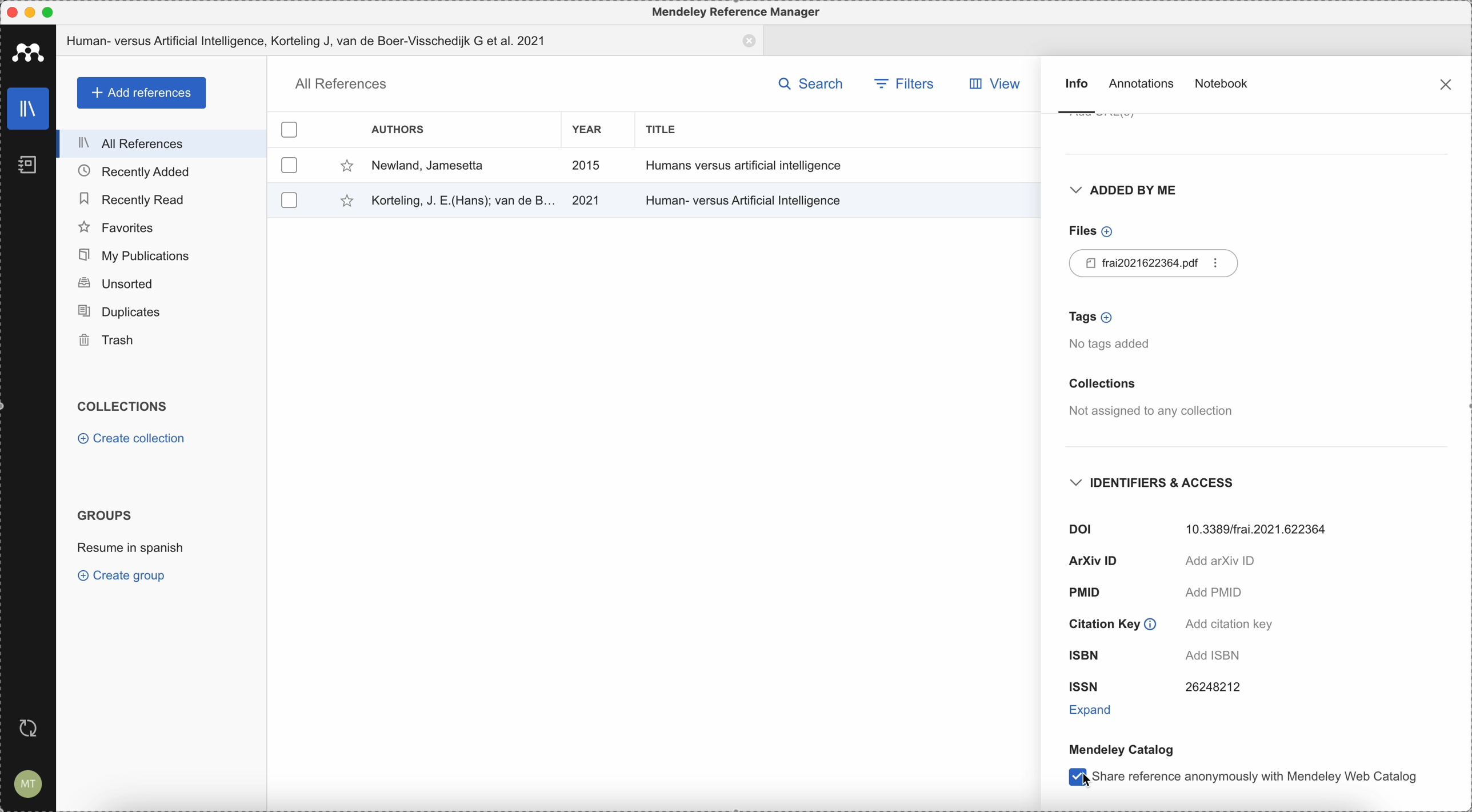 The width and height of the screenshot is (1472, 812). Describe the element at coordinates (1074, 775) in the screenshot. I see `cursor ` at that location.